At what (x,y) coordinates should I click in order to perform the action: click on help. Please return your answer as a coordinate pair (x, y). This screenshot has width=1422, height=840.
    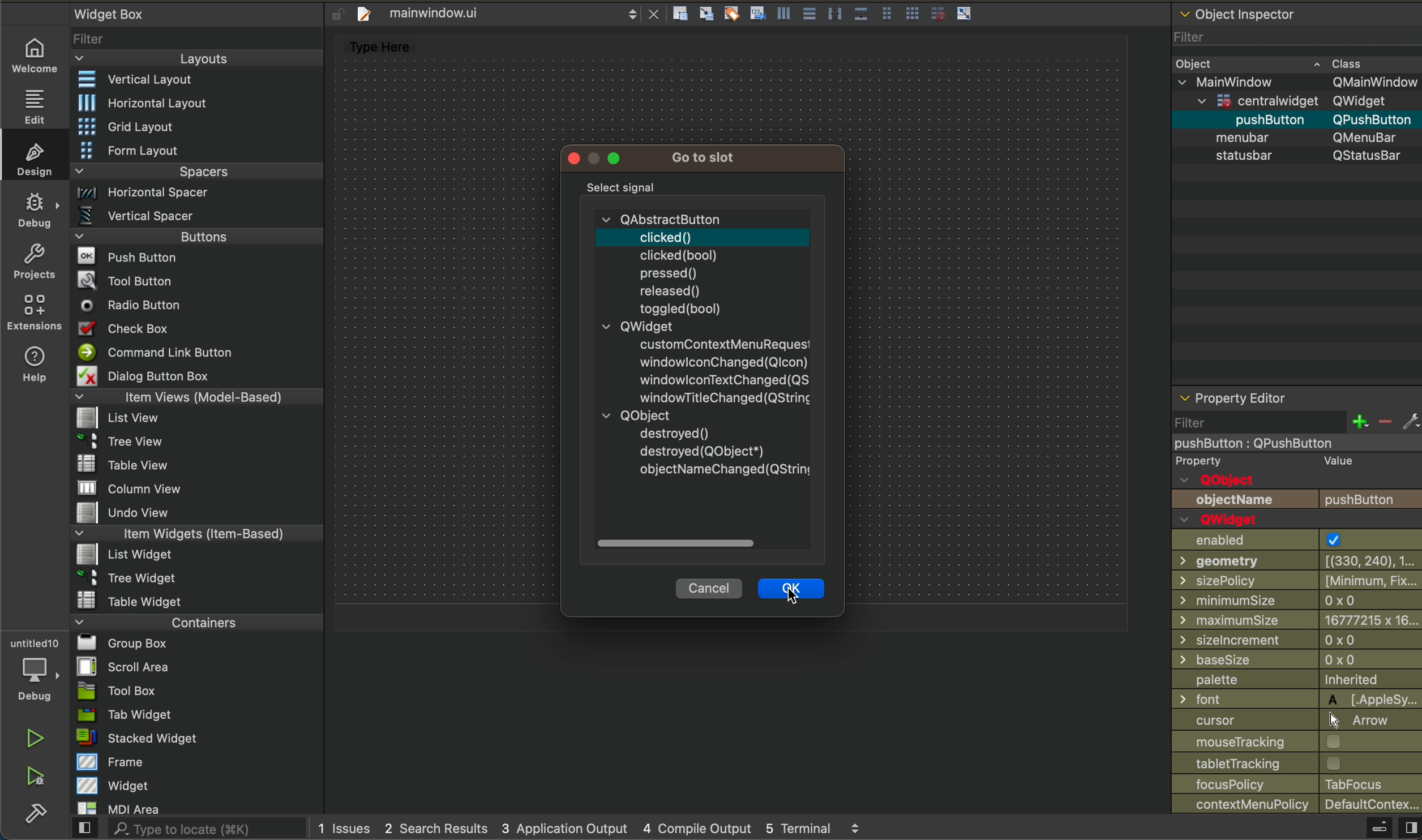
    Looking at the image, I should click on (33, 368).